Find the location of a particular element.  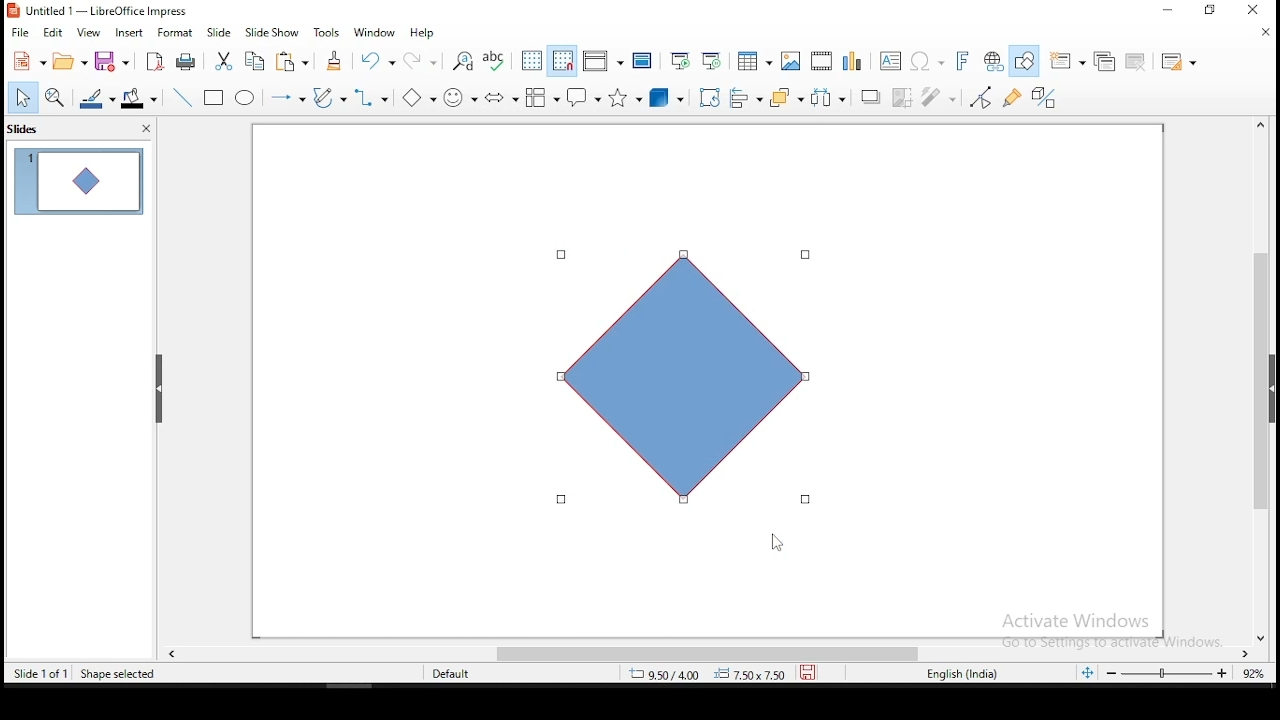

window is located at coordinates (375, 31).